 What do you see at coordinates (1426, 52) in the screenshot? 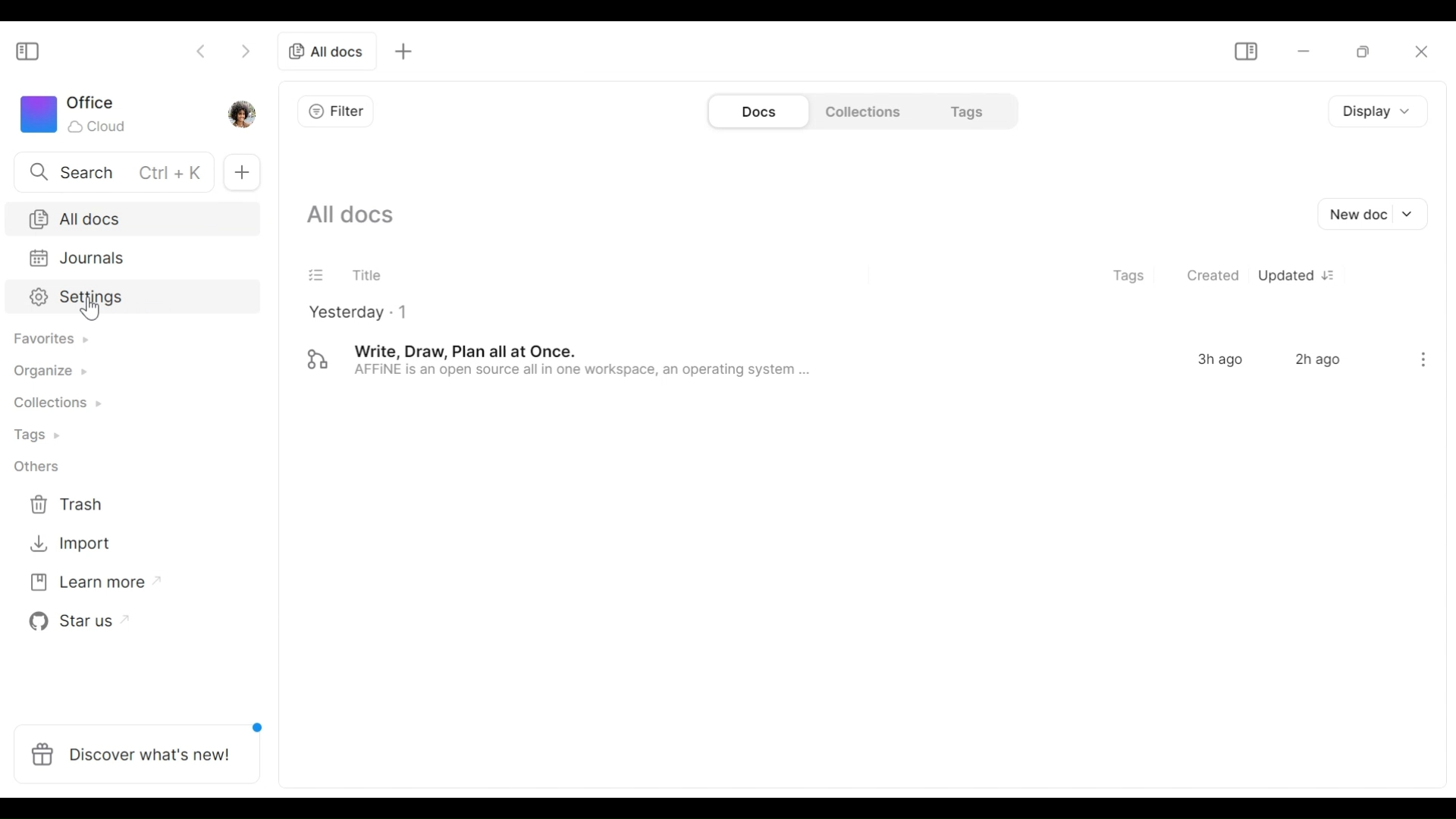
I see `close` at bounding box center [1426, 52].